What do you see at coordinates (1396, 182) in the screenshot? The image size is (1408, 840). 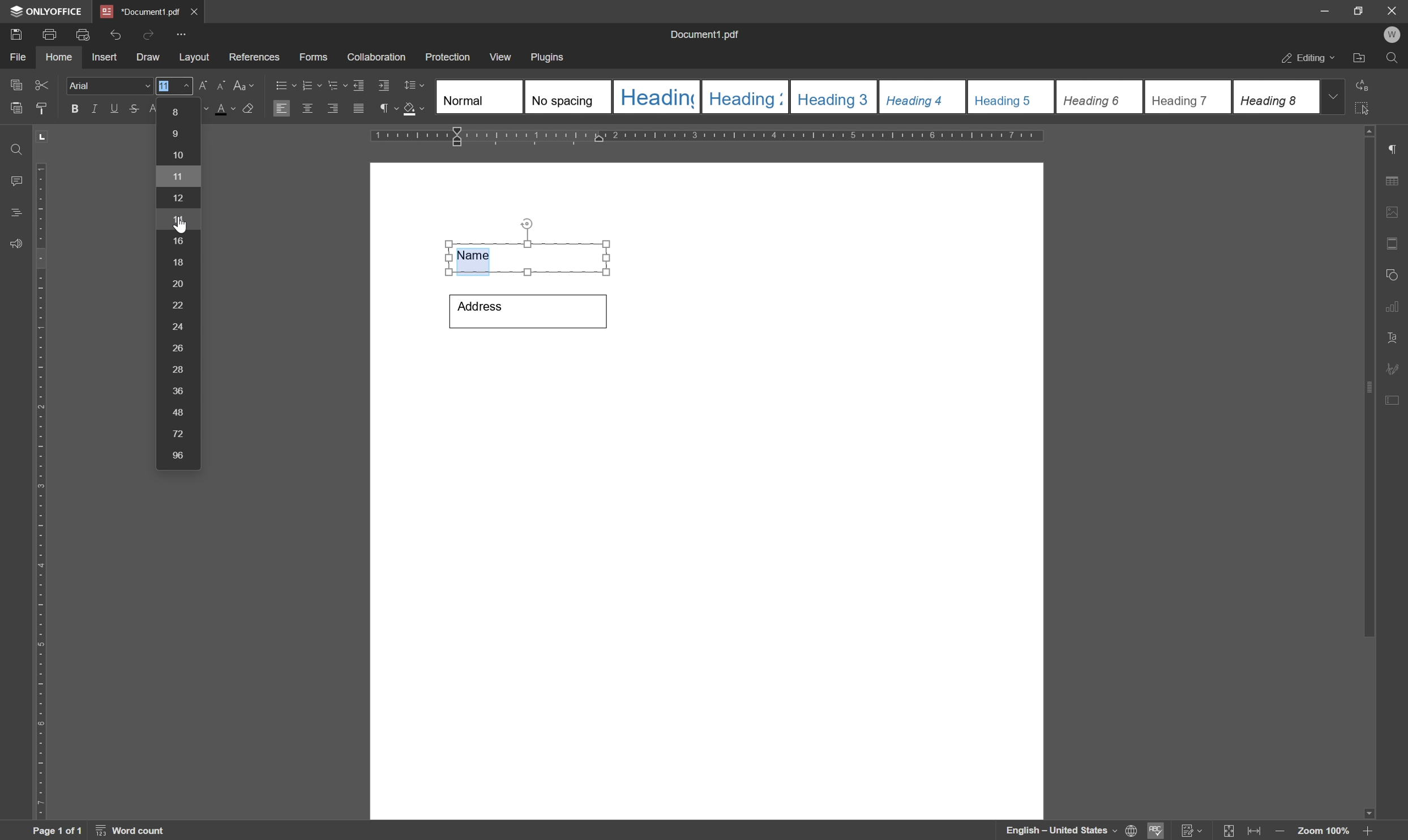 I see `table settings` at bounding box center [1396, 182].